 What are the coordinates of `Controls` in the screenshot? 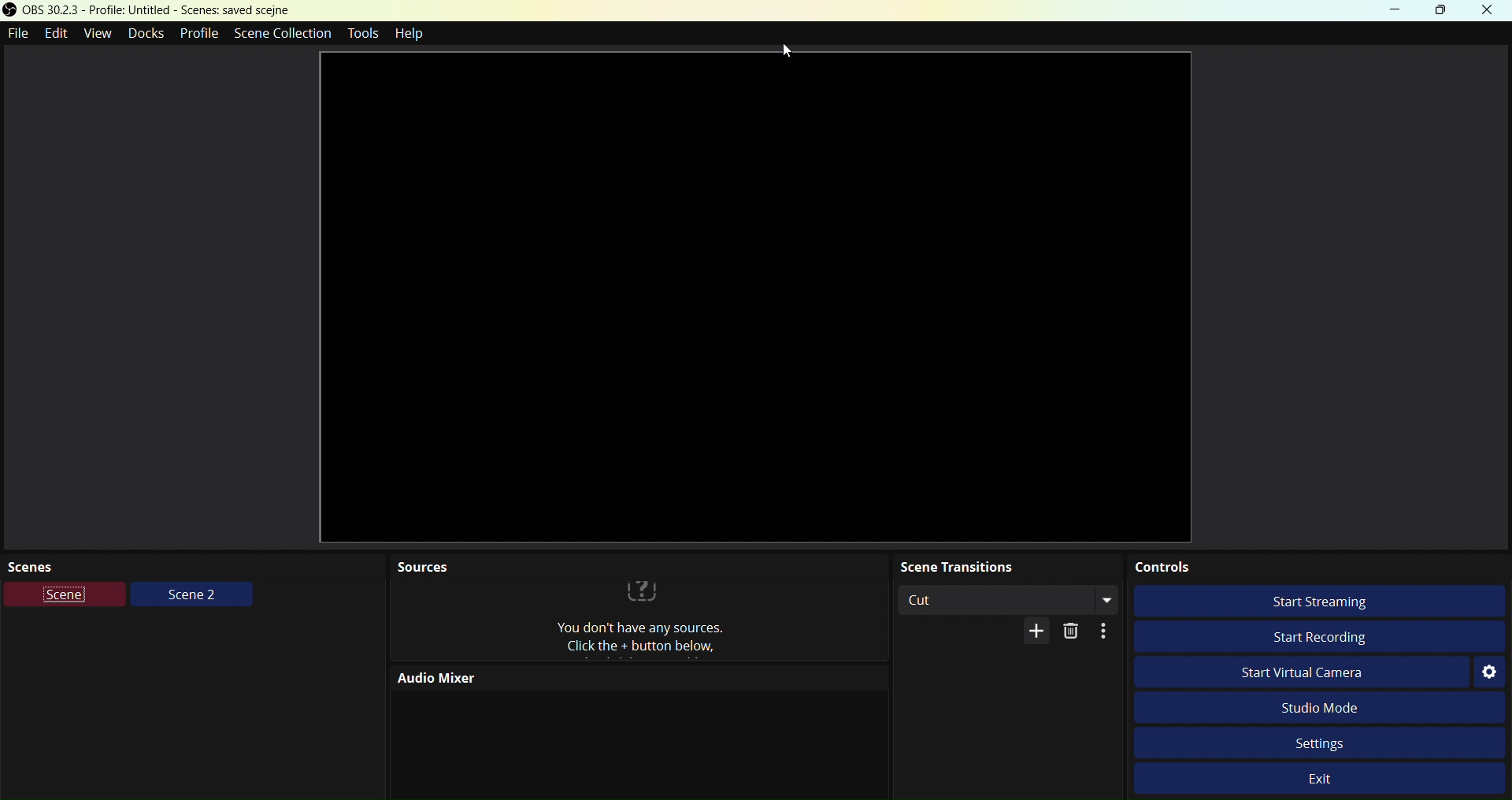 It's located at (1318, 567).